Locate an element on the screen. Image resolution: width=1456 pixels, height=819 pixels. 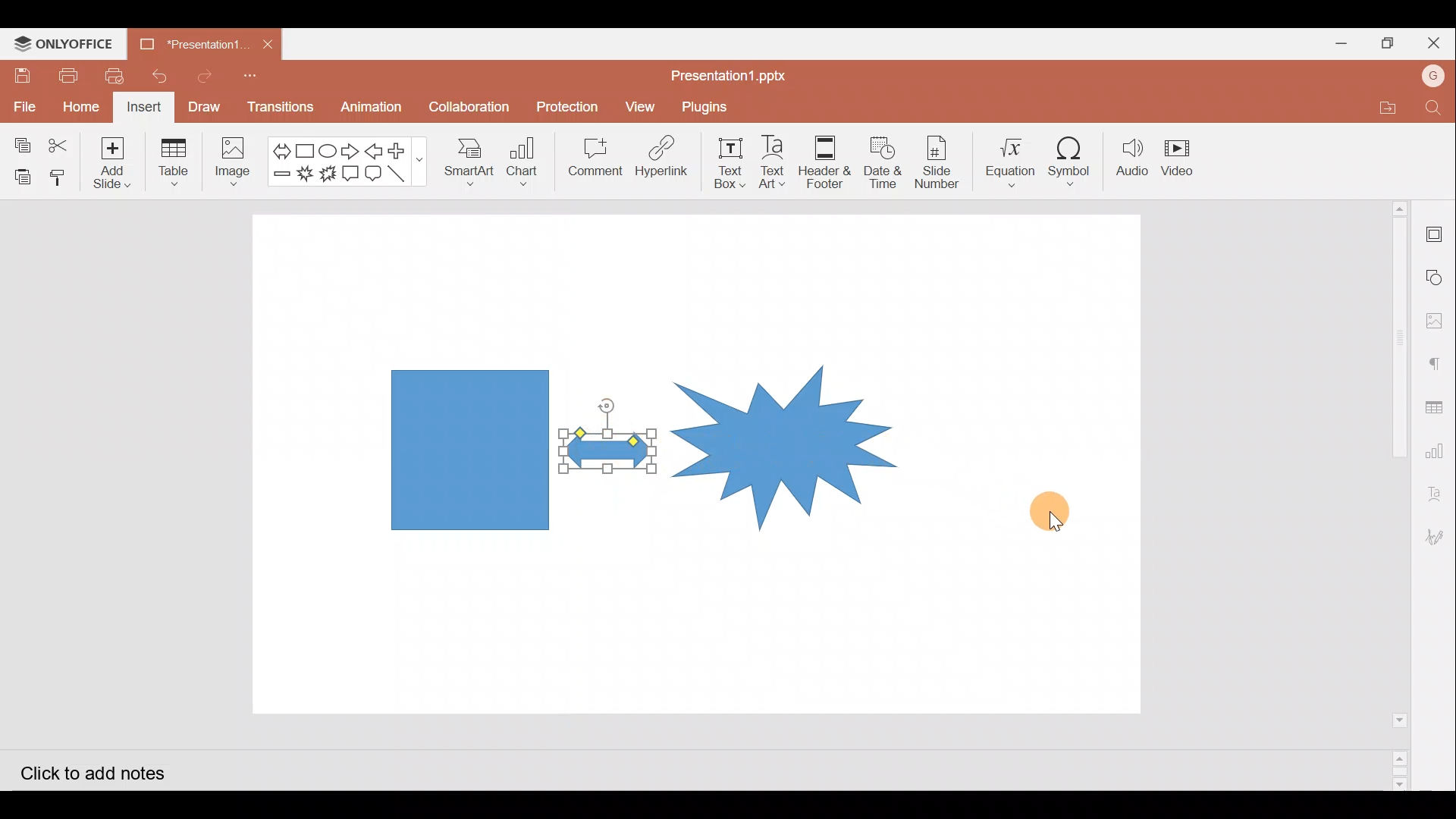
Text box is located at coordinates (733, 162).